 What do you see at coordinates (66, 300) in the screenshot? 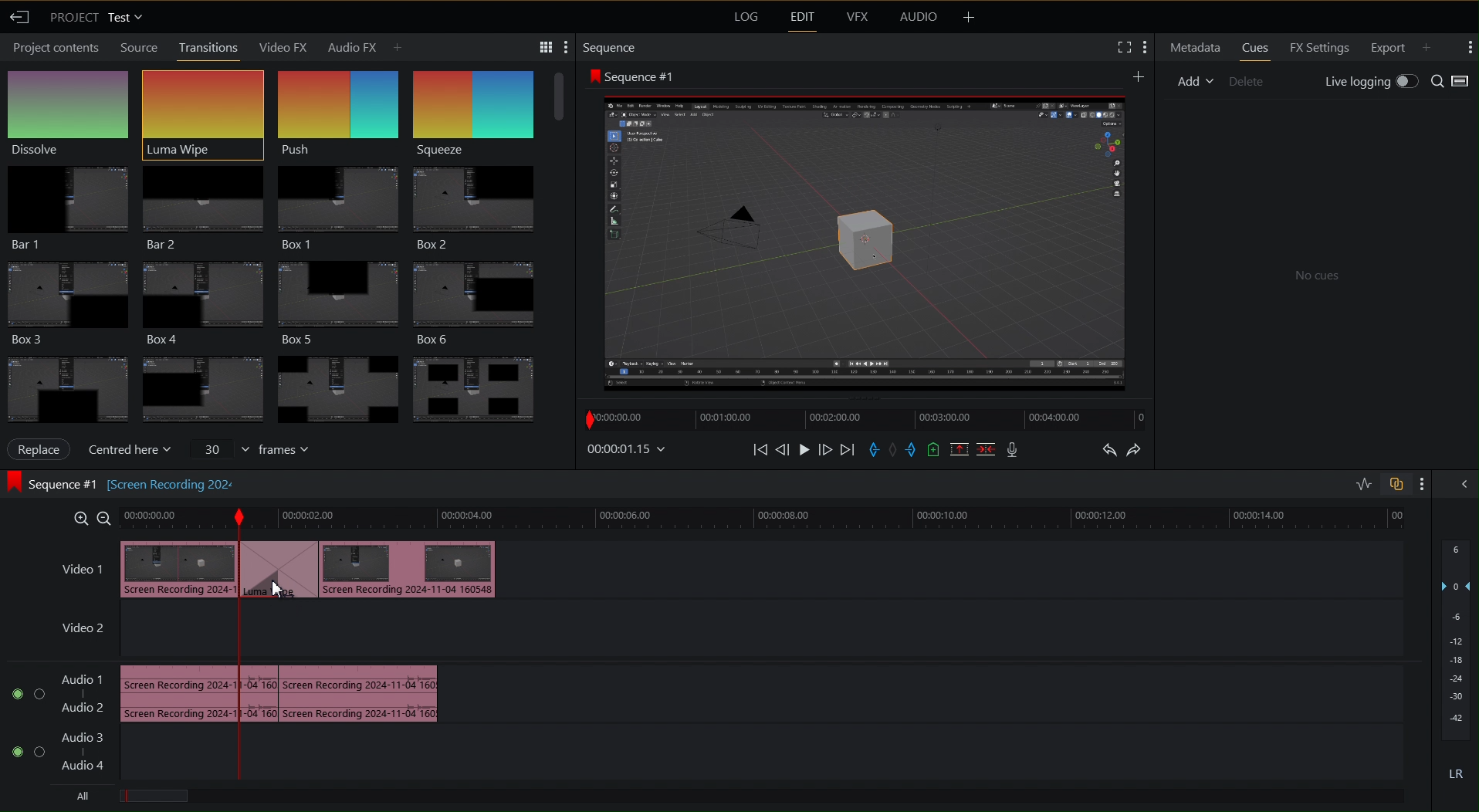
I see `Box 3` at bounding box center [66, 300].